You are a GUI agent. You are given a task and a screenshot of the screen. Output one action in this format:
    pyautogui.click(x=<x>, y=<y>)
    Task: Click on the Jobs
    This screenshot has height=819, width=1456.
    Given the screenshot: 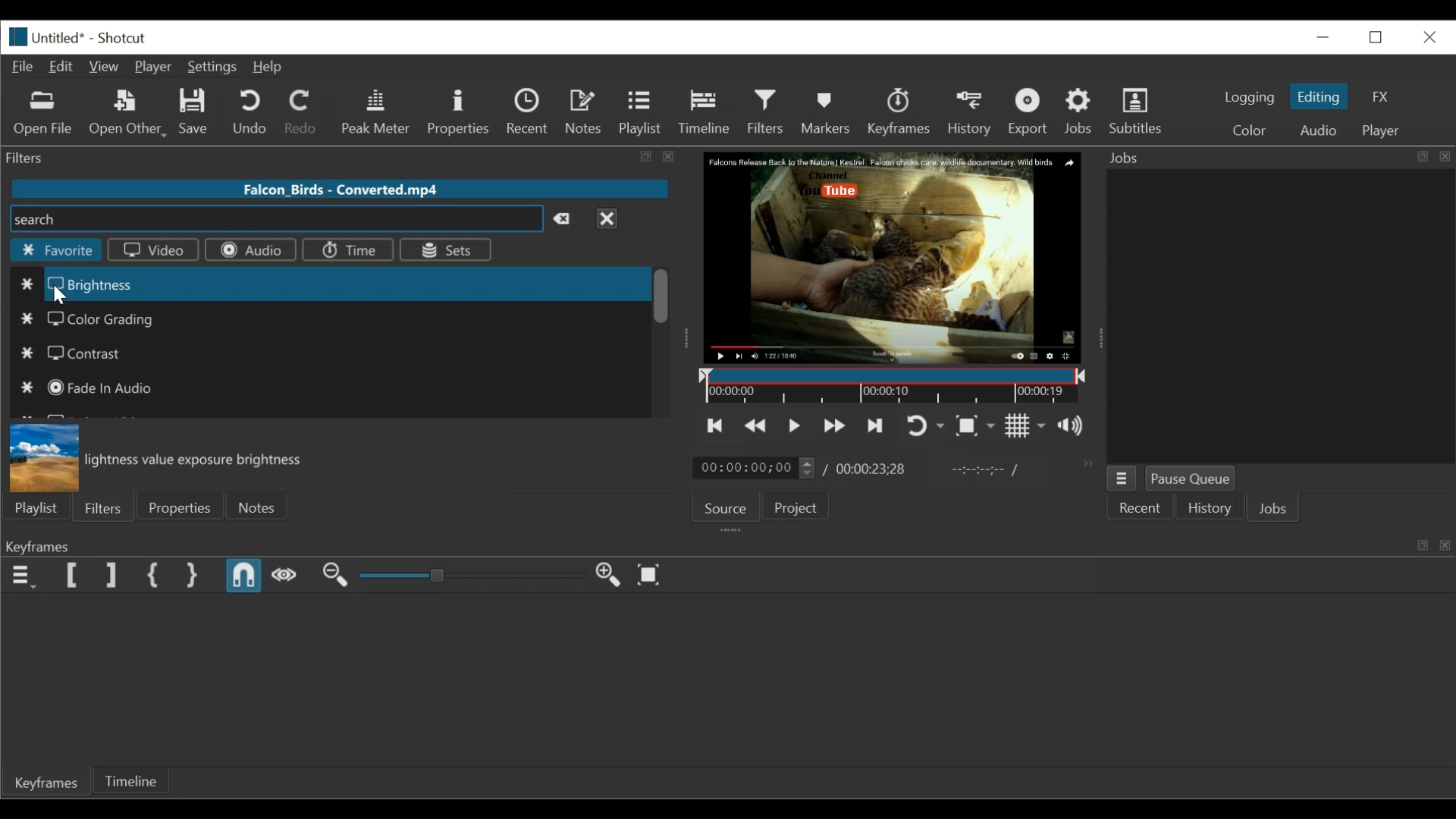 What is the action you would take?
    pyautogui.click(x=1275, y=510)
    